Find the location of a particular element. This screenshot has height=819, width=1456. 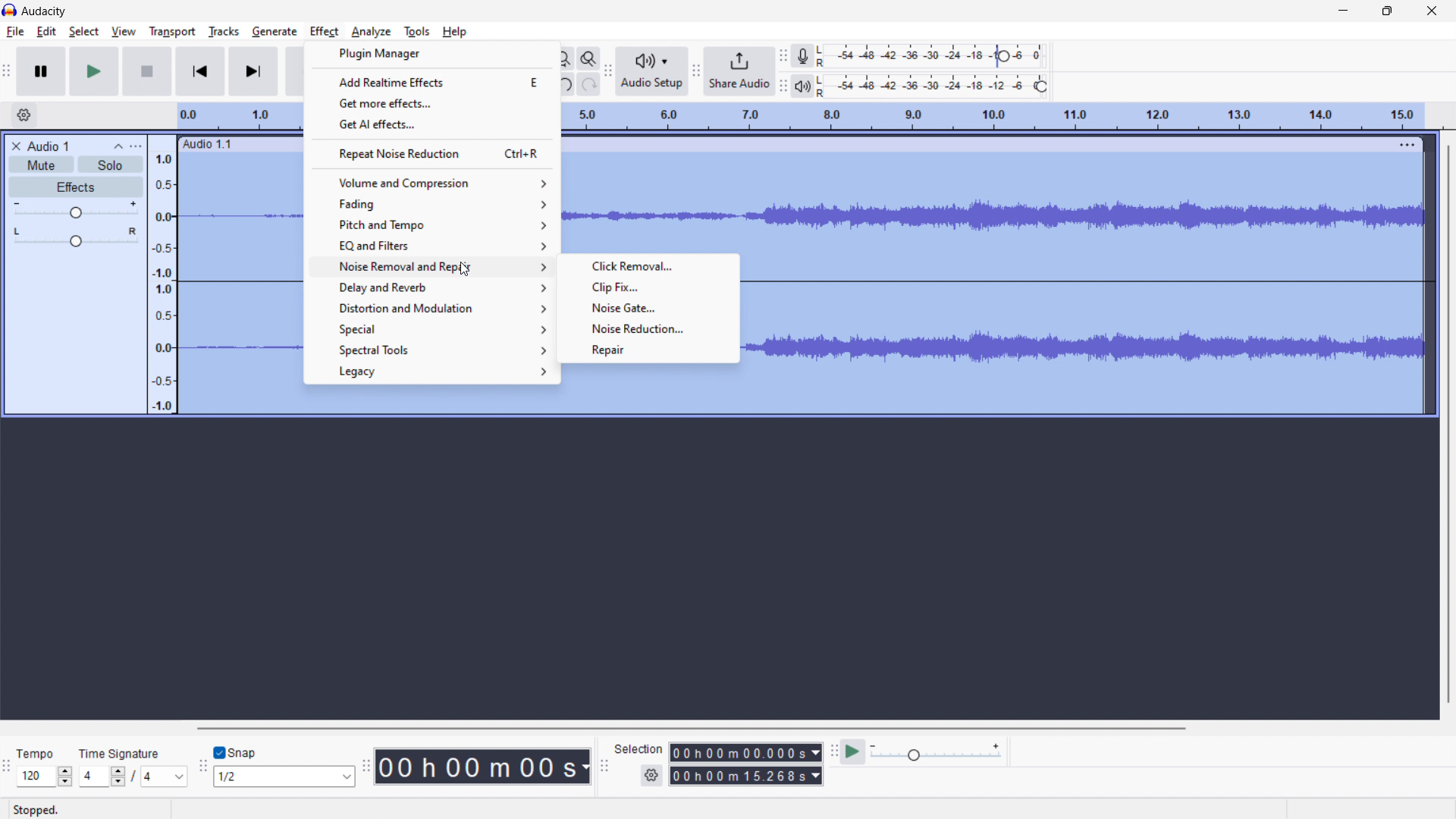

snapping toolbar is located at coordinates (203, 764).